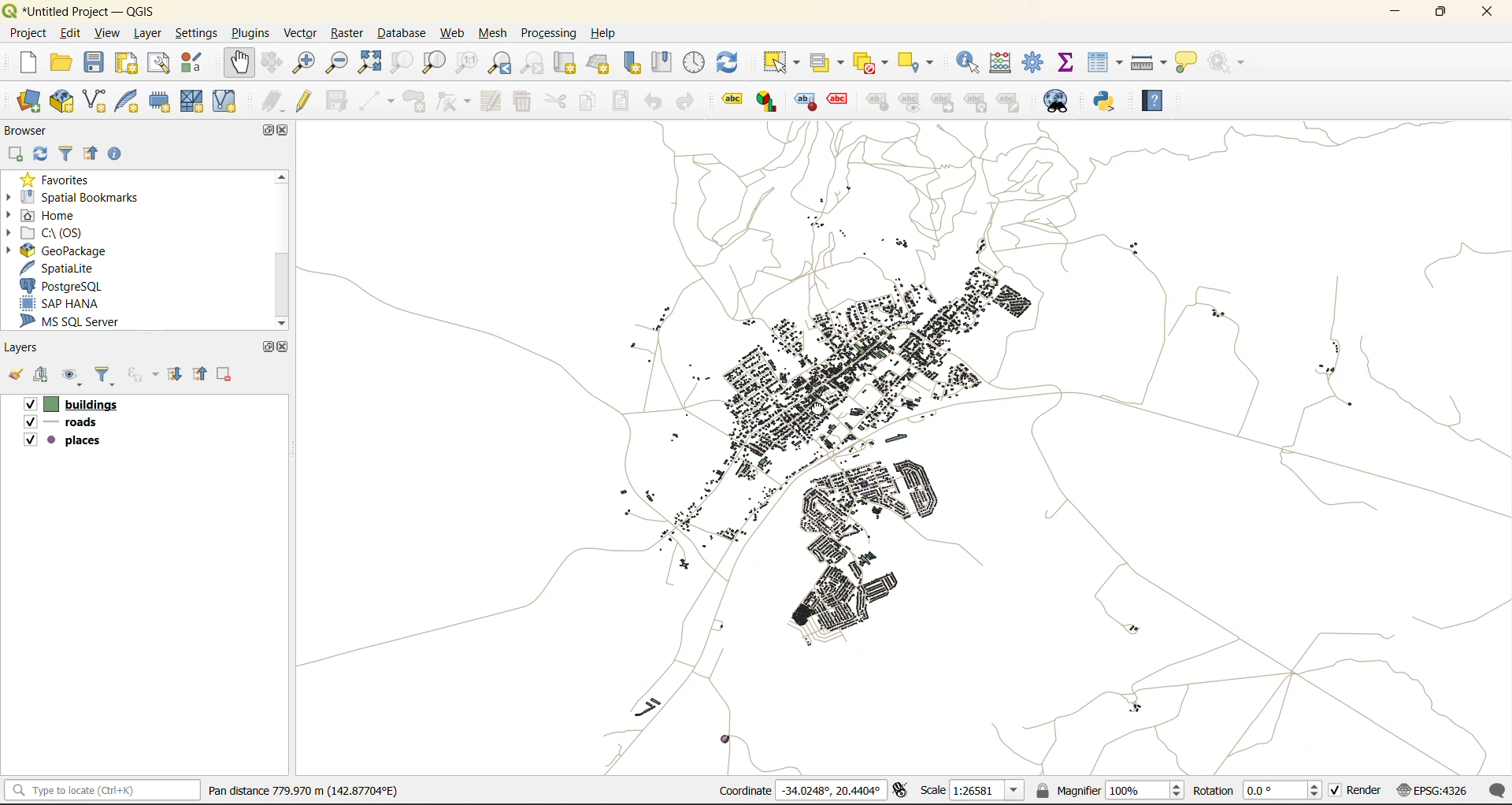 Image resolution: width=1512 pixels, height=805 pixels. Describe the element at coordinates (65, 425) in the screenshot. I see `roads` at that location.